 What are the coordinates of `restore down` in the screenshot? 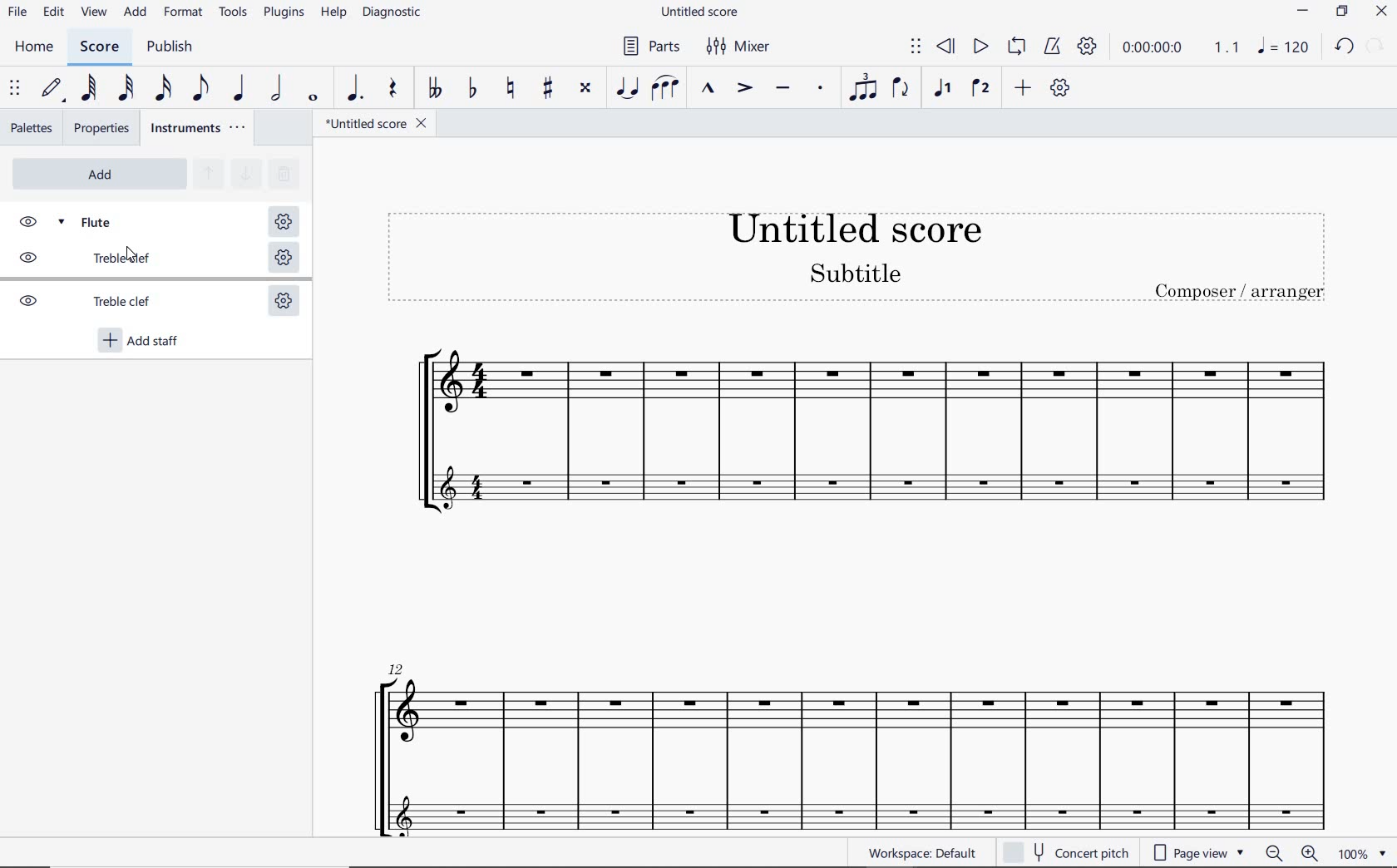 It's located at (1341, 12).